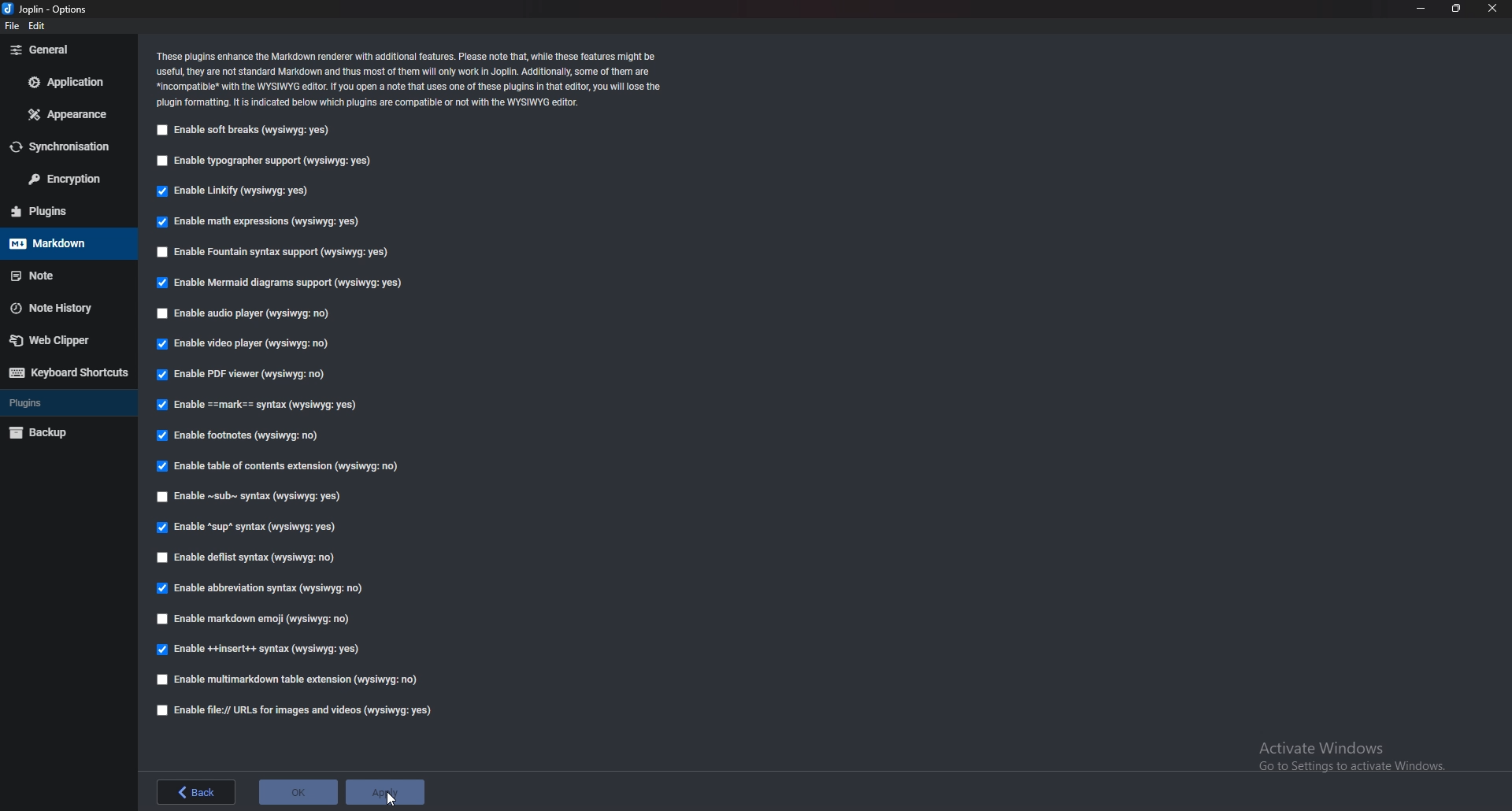  Describe the element at coordinates (1493, 9) in the screenshot. I see `close` at that location.